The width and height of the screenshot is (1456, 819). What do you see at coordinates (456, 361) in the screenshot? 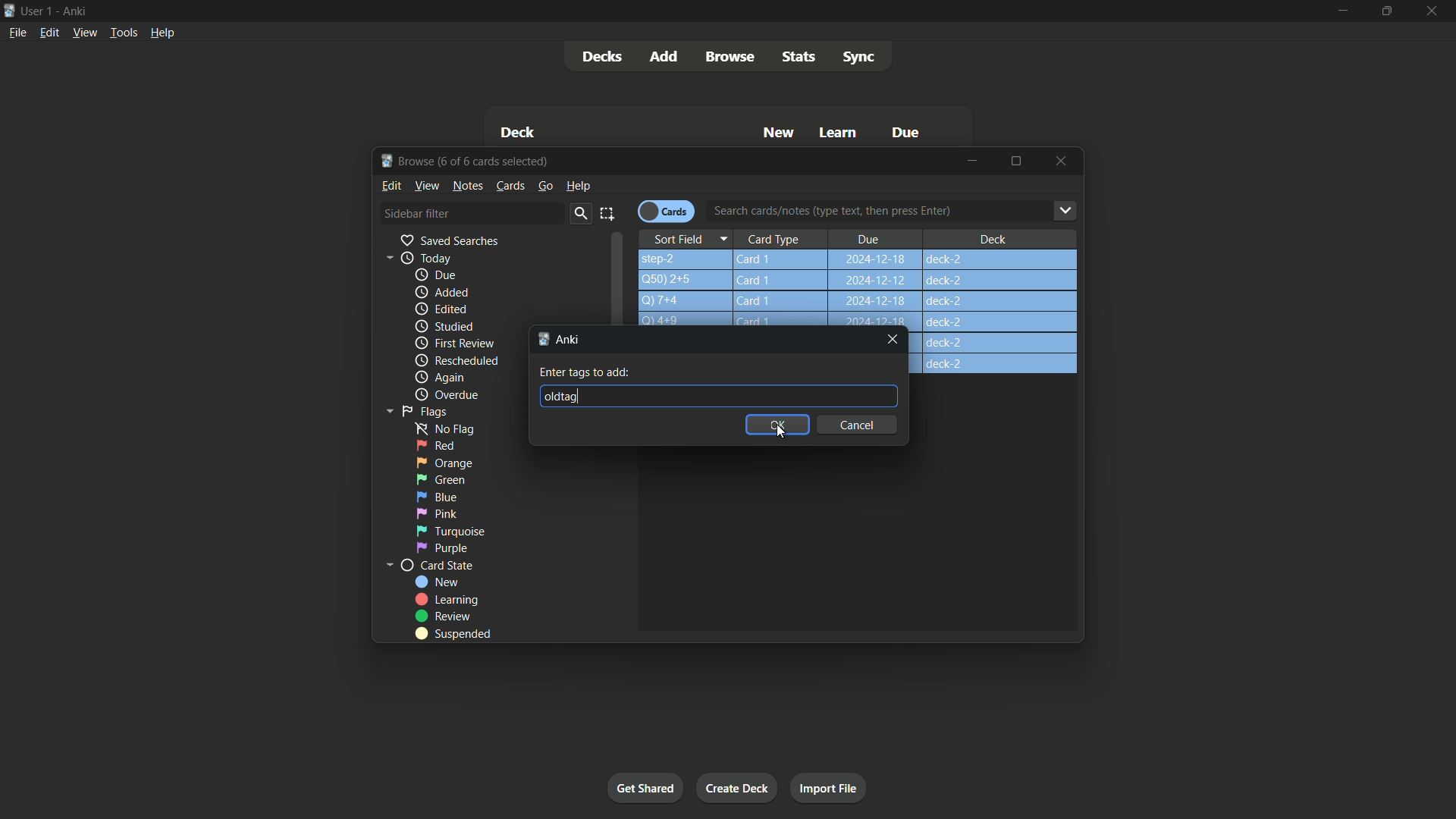
I see `Rescheduled` at bounding box center [456, 361].